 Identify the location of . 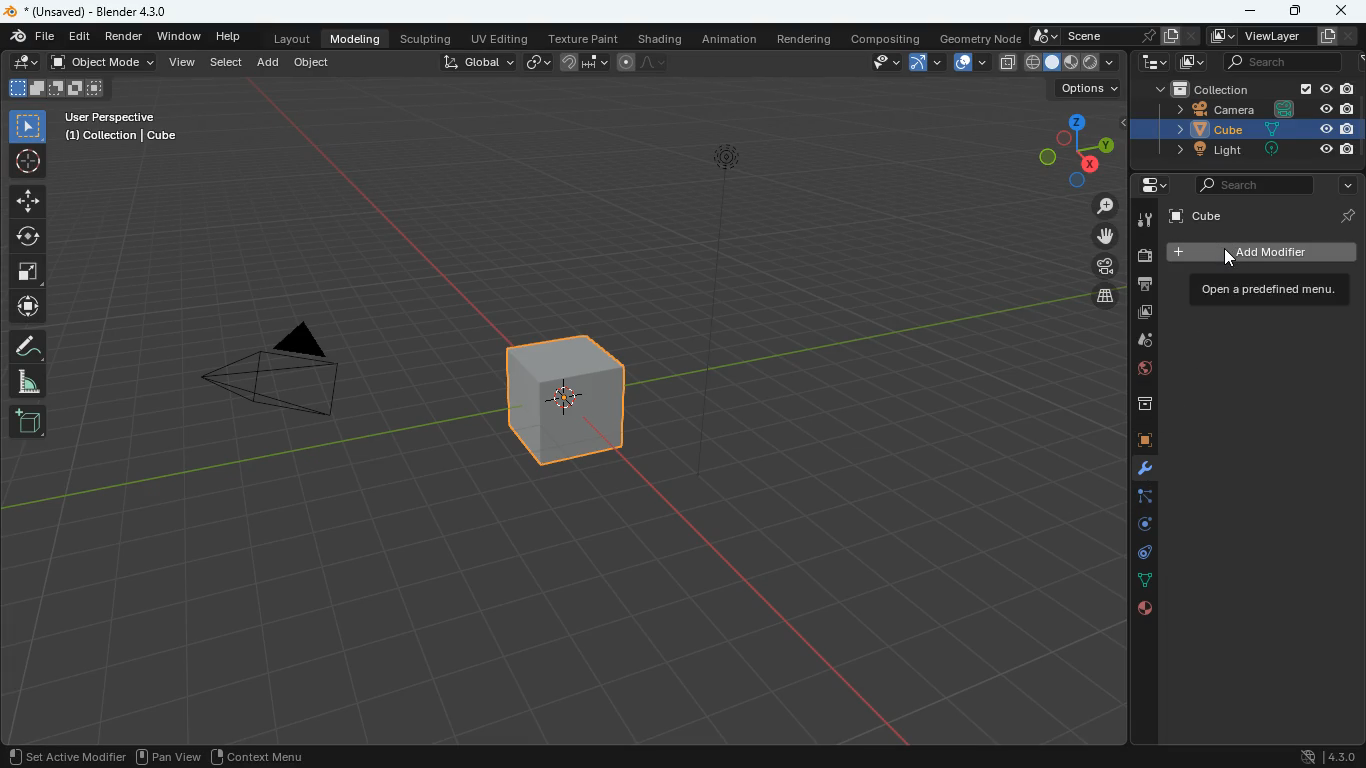
(101, 11).